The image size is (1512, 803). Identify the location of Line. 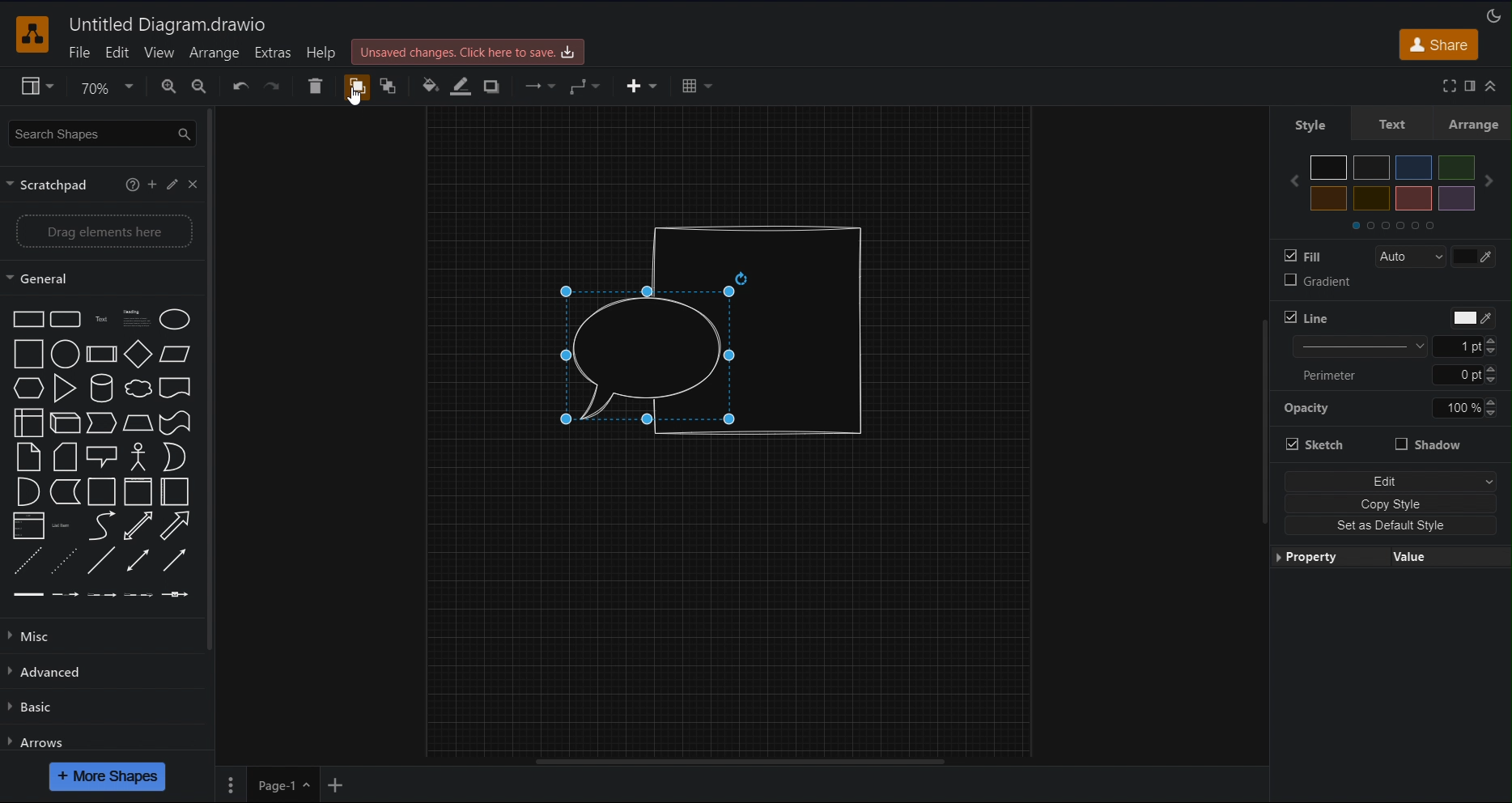
(1306, 317).